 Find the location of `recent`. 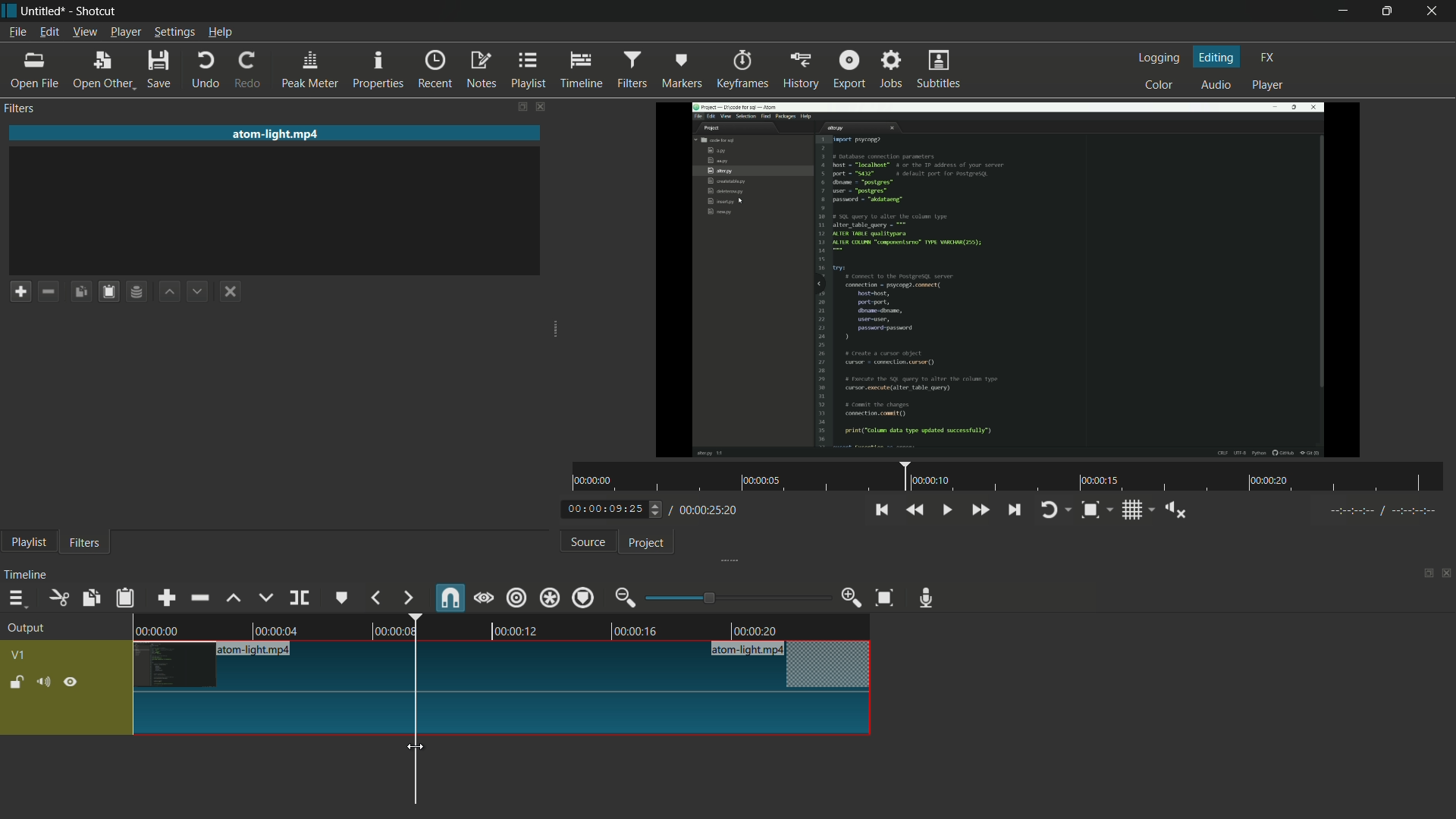

recent is located at coordinates (438, 70).